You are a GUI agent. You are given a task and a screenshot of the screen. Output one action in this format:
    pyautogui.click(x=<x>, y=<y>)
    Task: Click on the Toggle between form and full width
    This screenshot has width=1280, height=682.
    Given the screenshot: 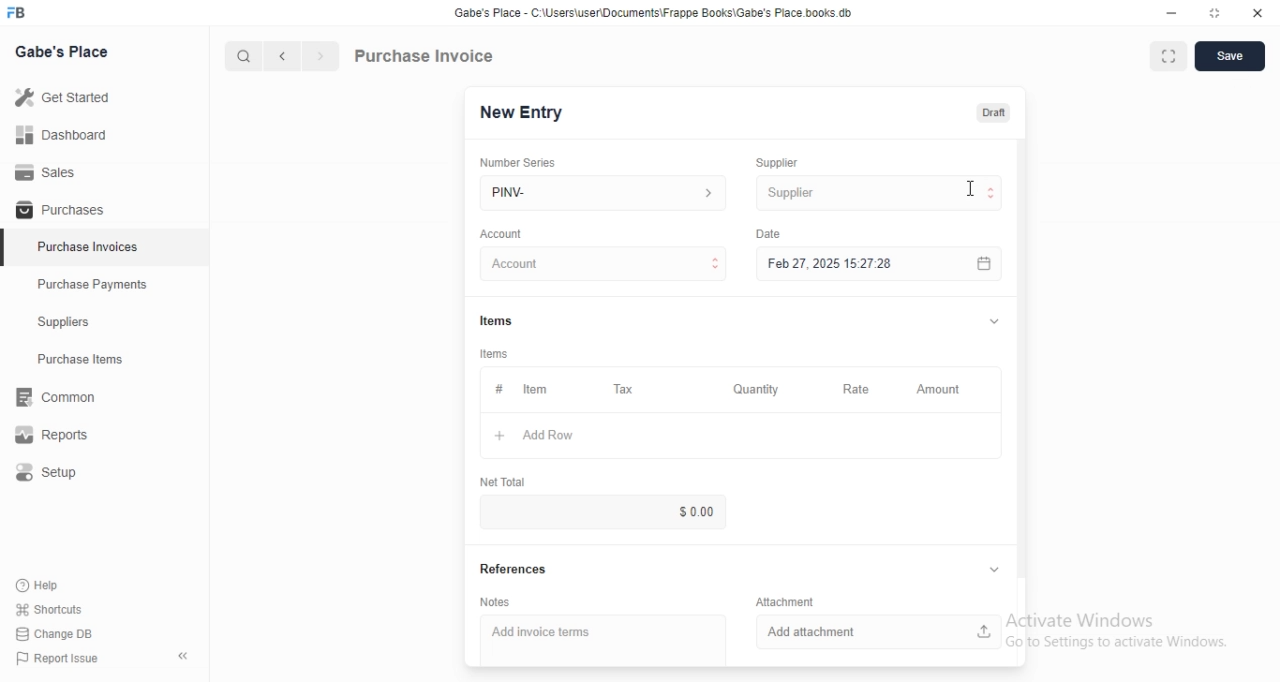 What is the action you would take?
    pyautogui.click(x=1169, y=56)
    